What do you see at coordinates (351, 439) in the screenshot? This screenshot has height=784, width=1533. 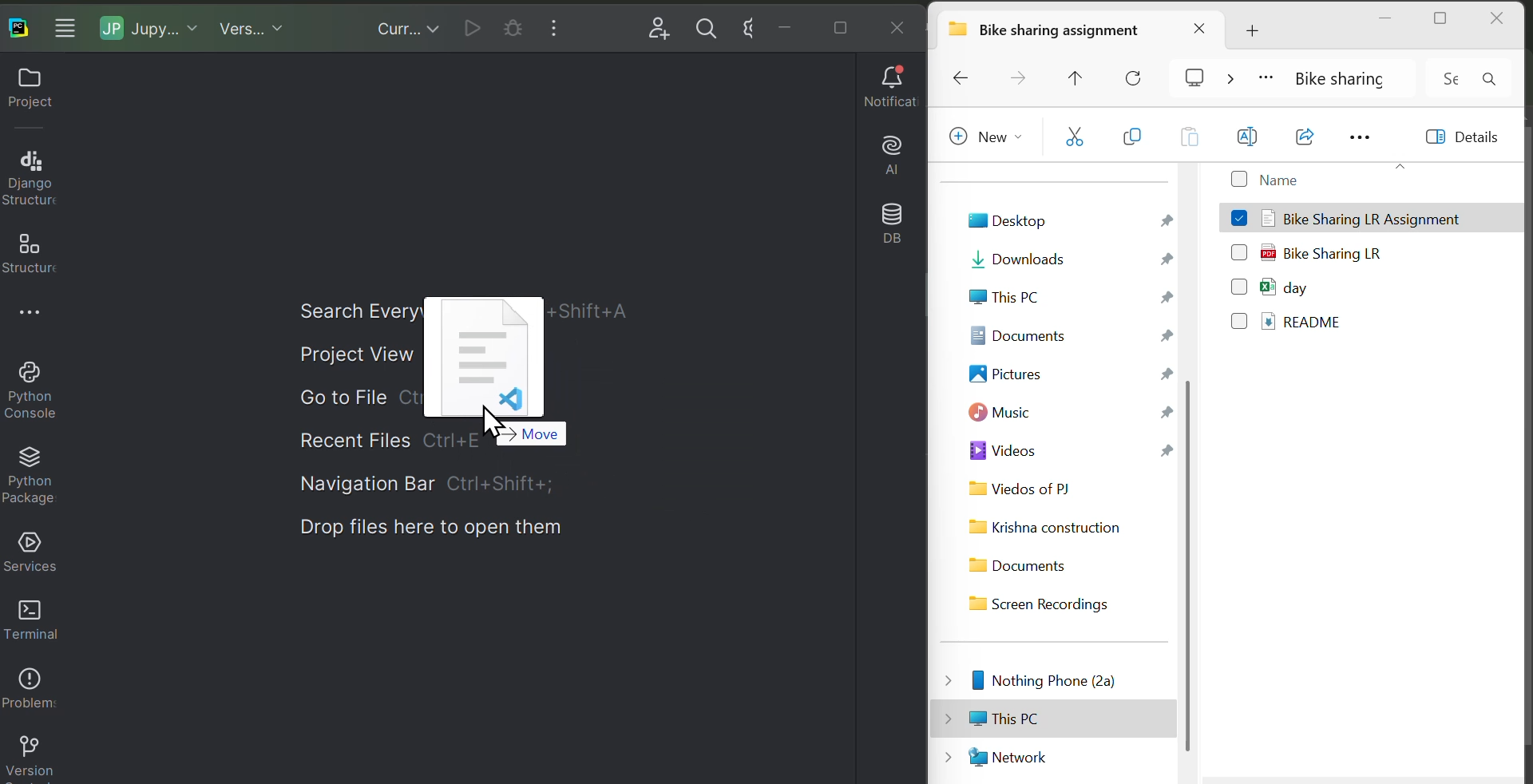 I see `Recent file` at bounding box center [351, 439].